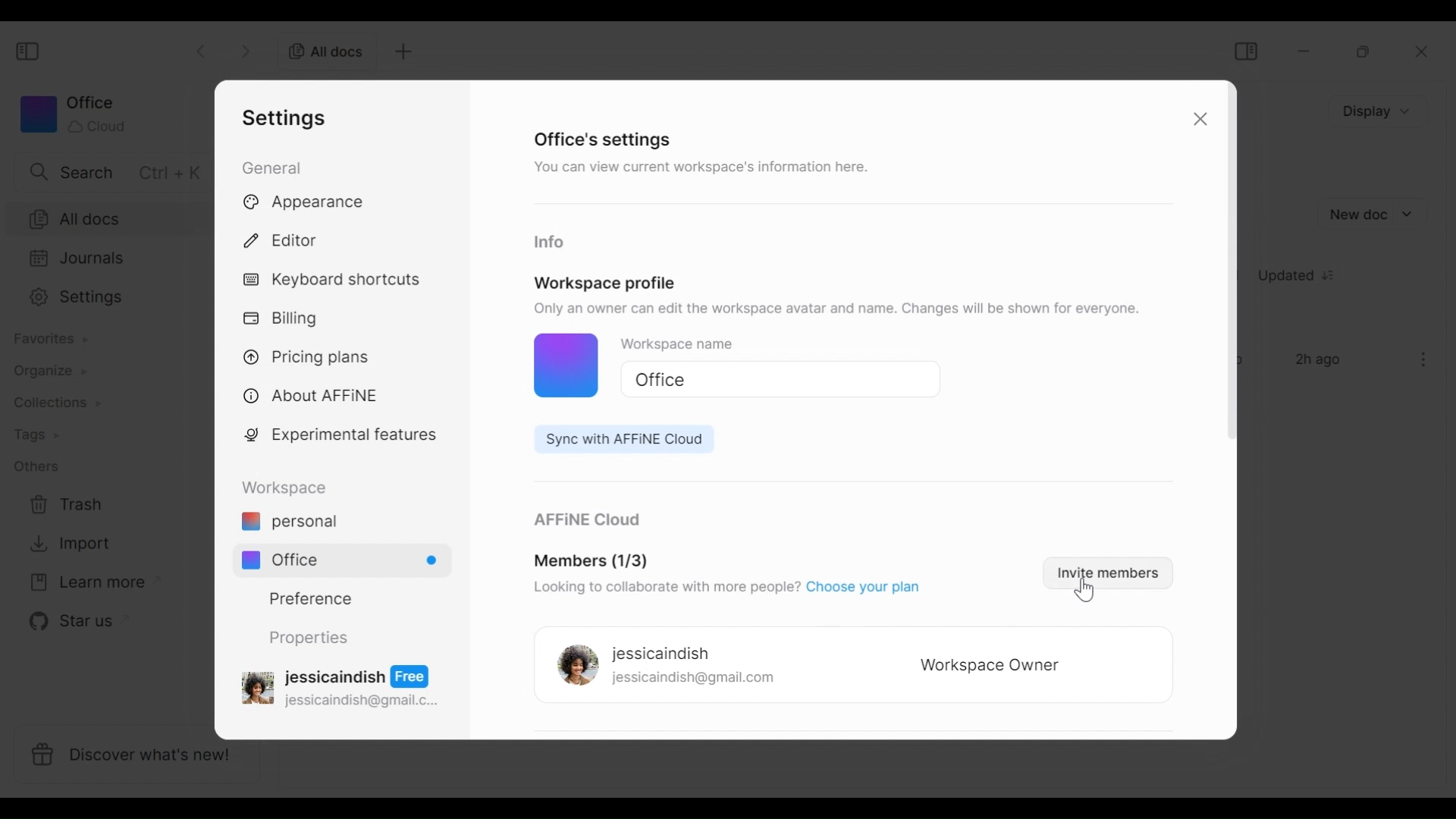 This screenshot has width=1456, height=819. Describe the element at coordinates (990, 667) in the screenshot. I see `Workspace Owner` at that location.